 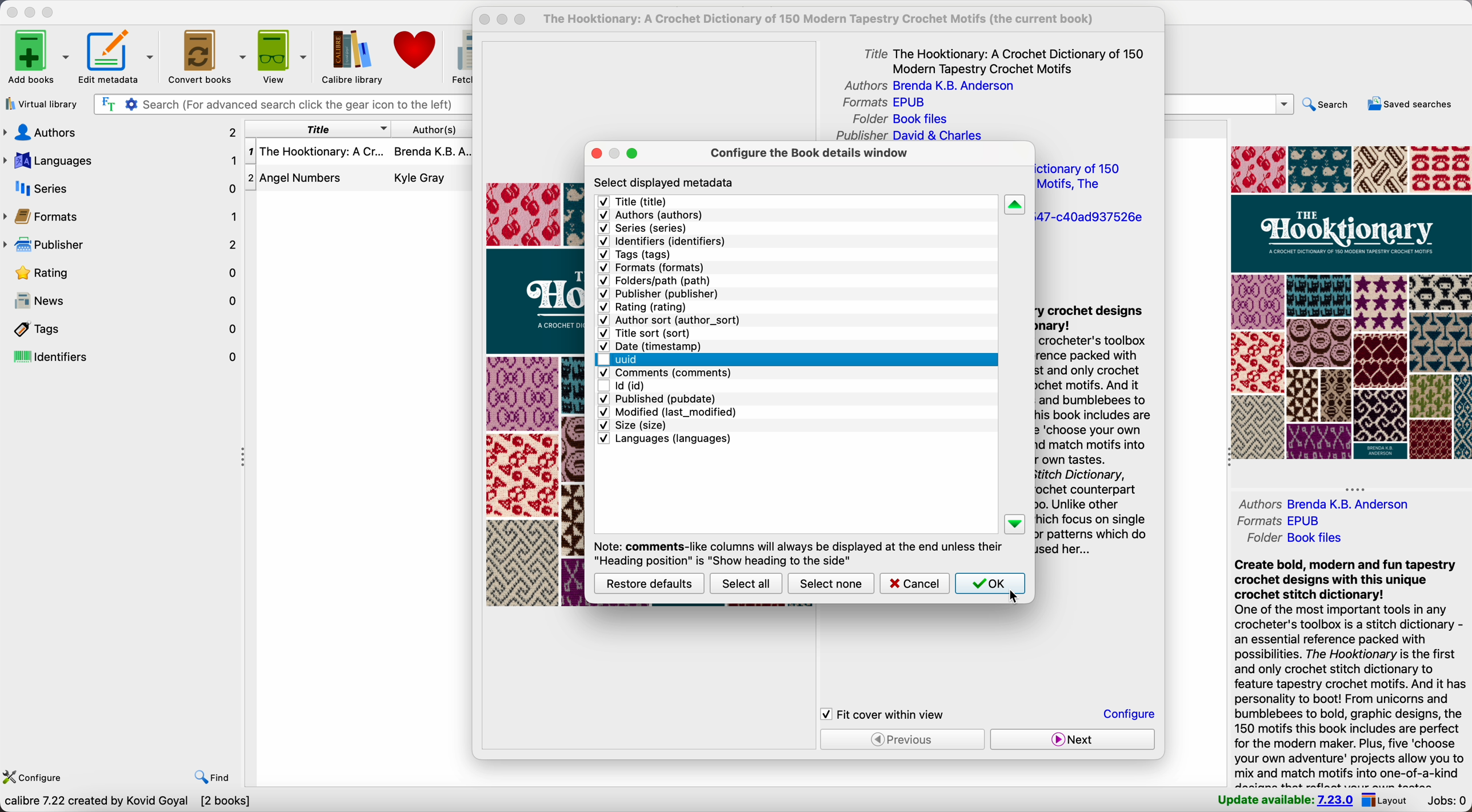 I want to click on click on configure, so click(x=1131, y=715).